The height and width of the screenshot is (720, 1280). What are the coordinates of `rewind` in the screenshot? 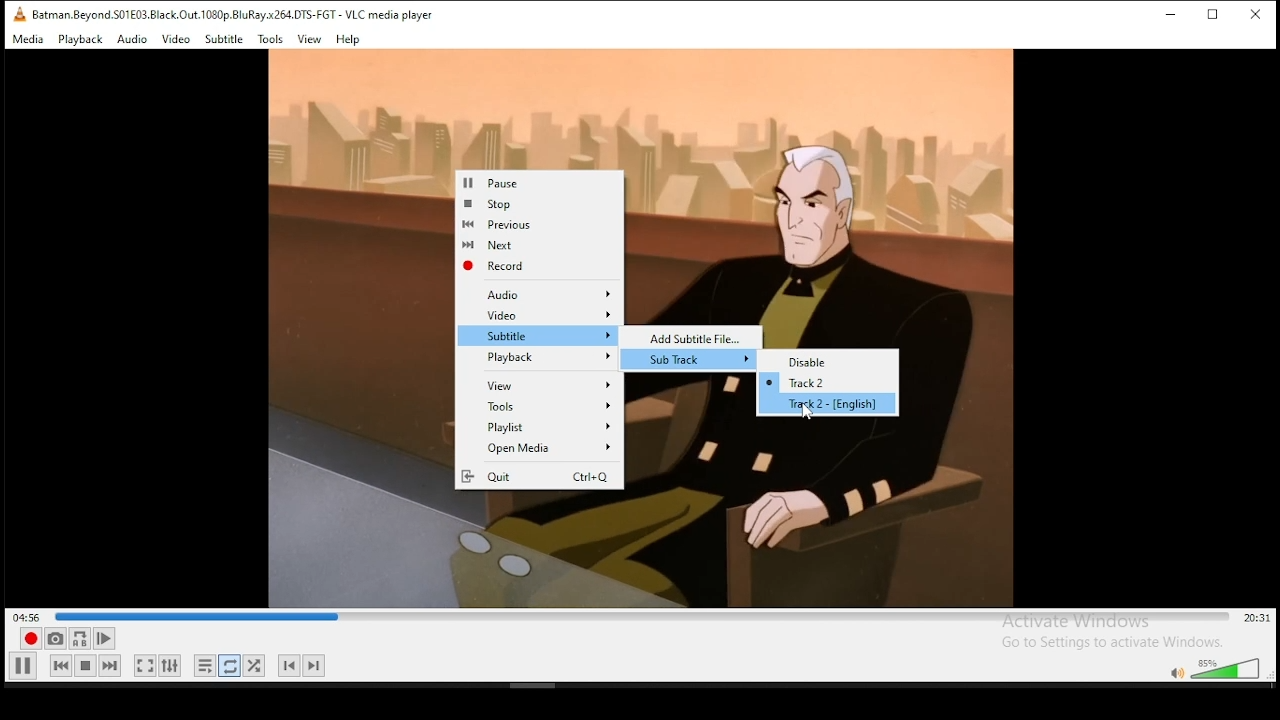 It's located at (61, 667).